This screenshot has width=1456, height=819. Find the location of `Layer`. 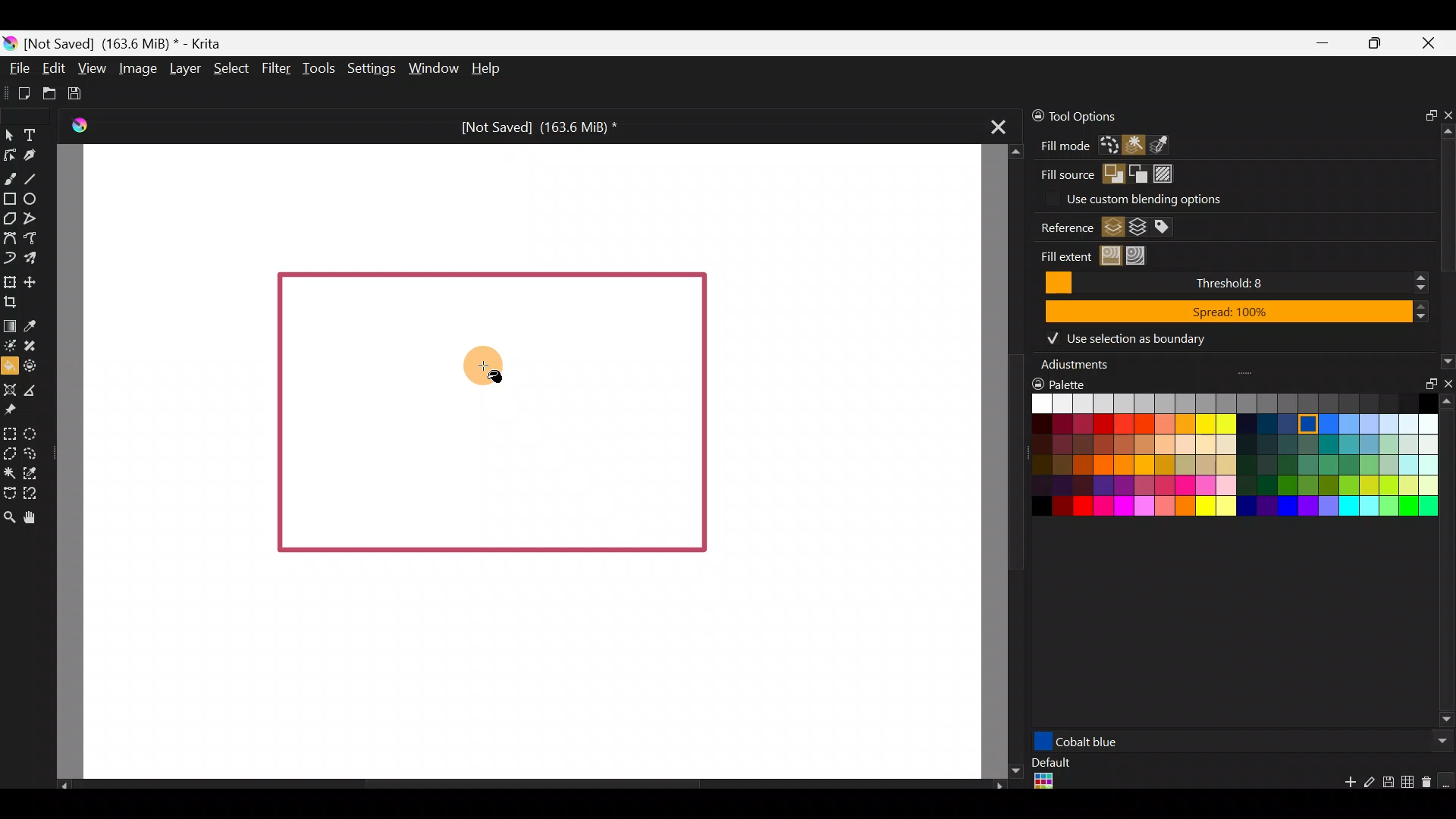

Layer is located at coordinates (185, 67).